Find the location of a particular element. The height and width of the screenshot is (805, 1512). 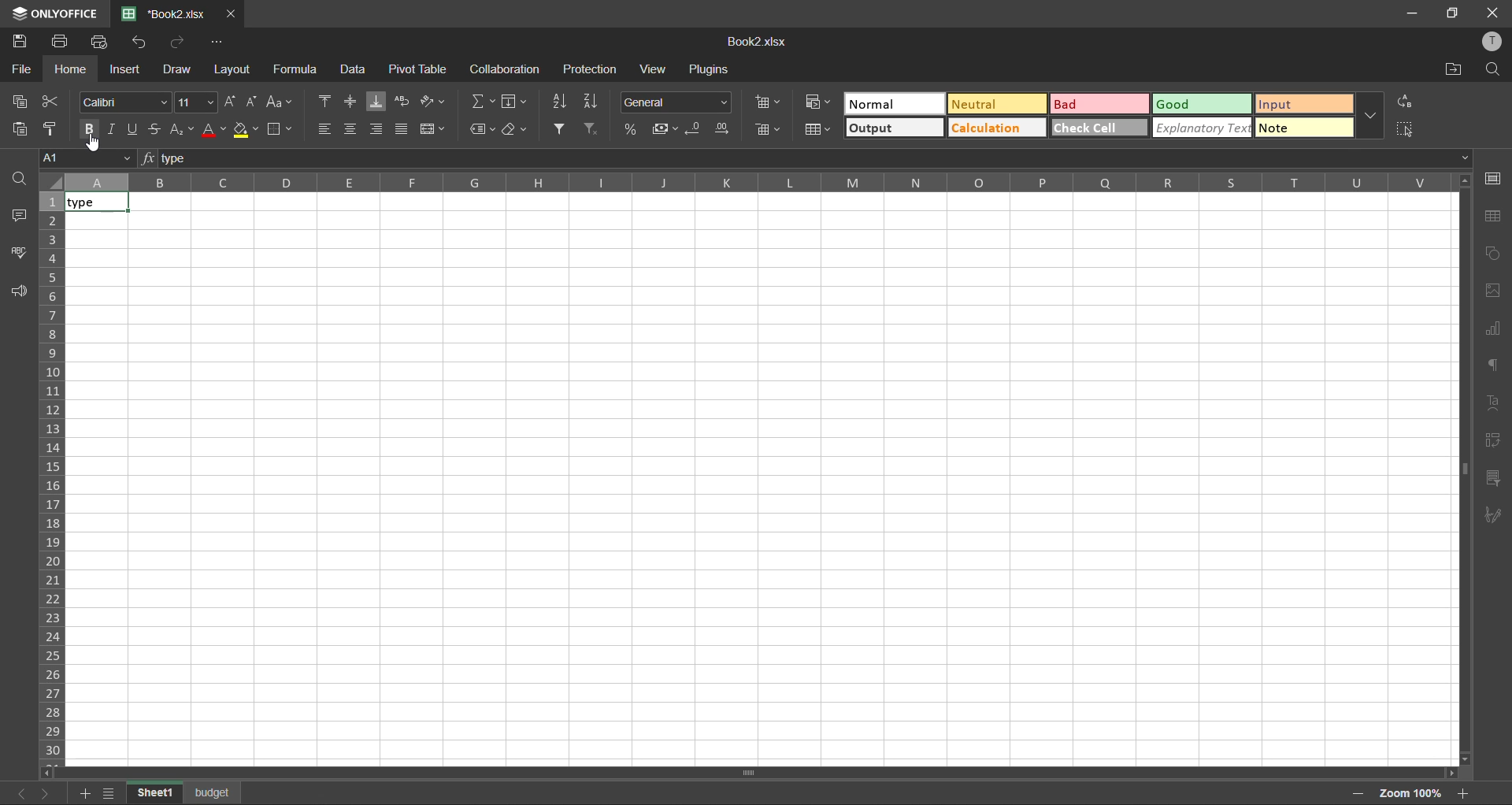

paragraph is located at coordinates (1492, 365).